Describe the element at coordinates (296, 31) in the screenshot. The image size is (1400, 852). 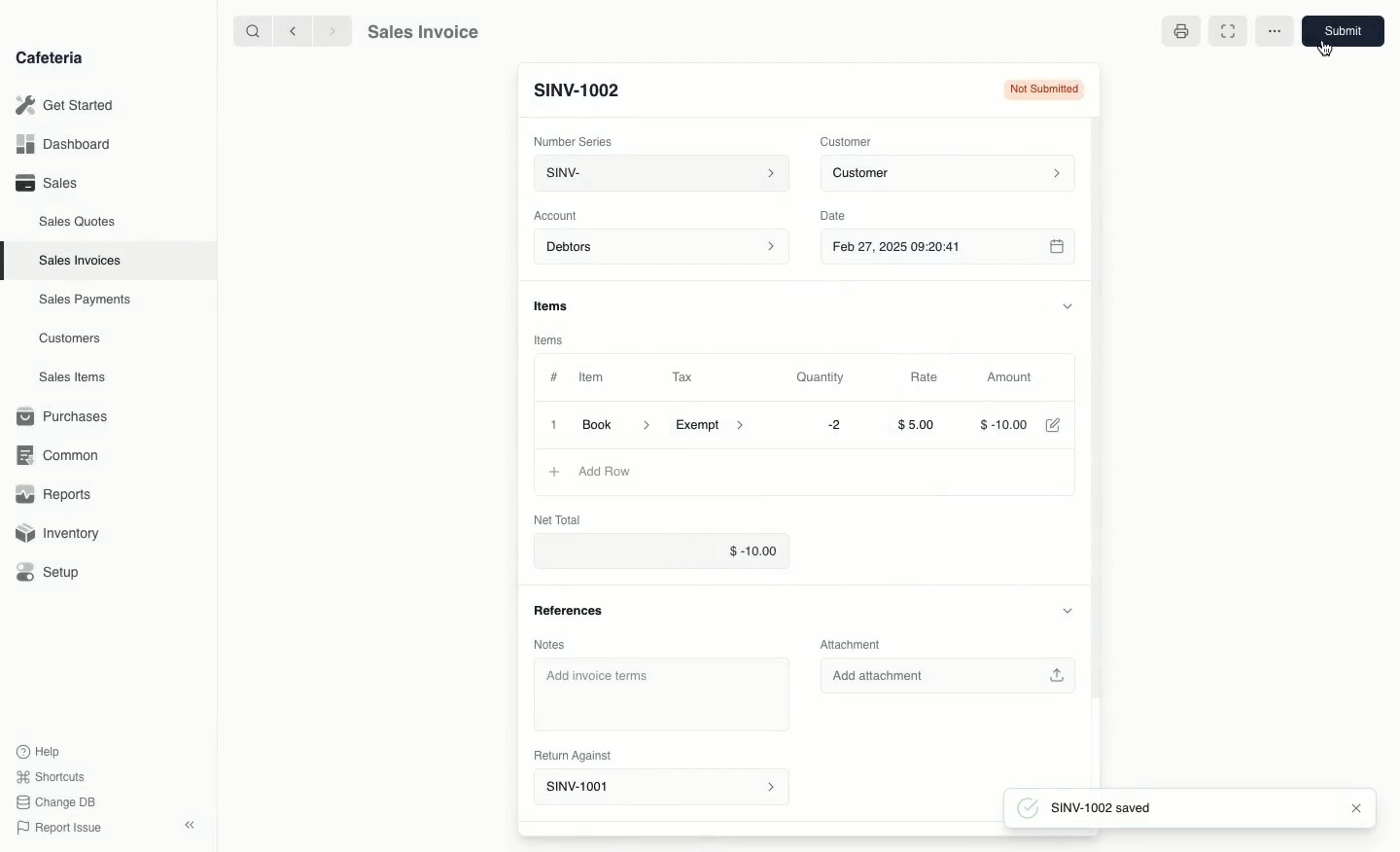
I see `back` at that location.